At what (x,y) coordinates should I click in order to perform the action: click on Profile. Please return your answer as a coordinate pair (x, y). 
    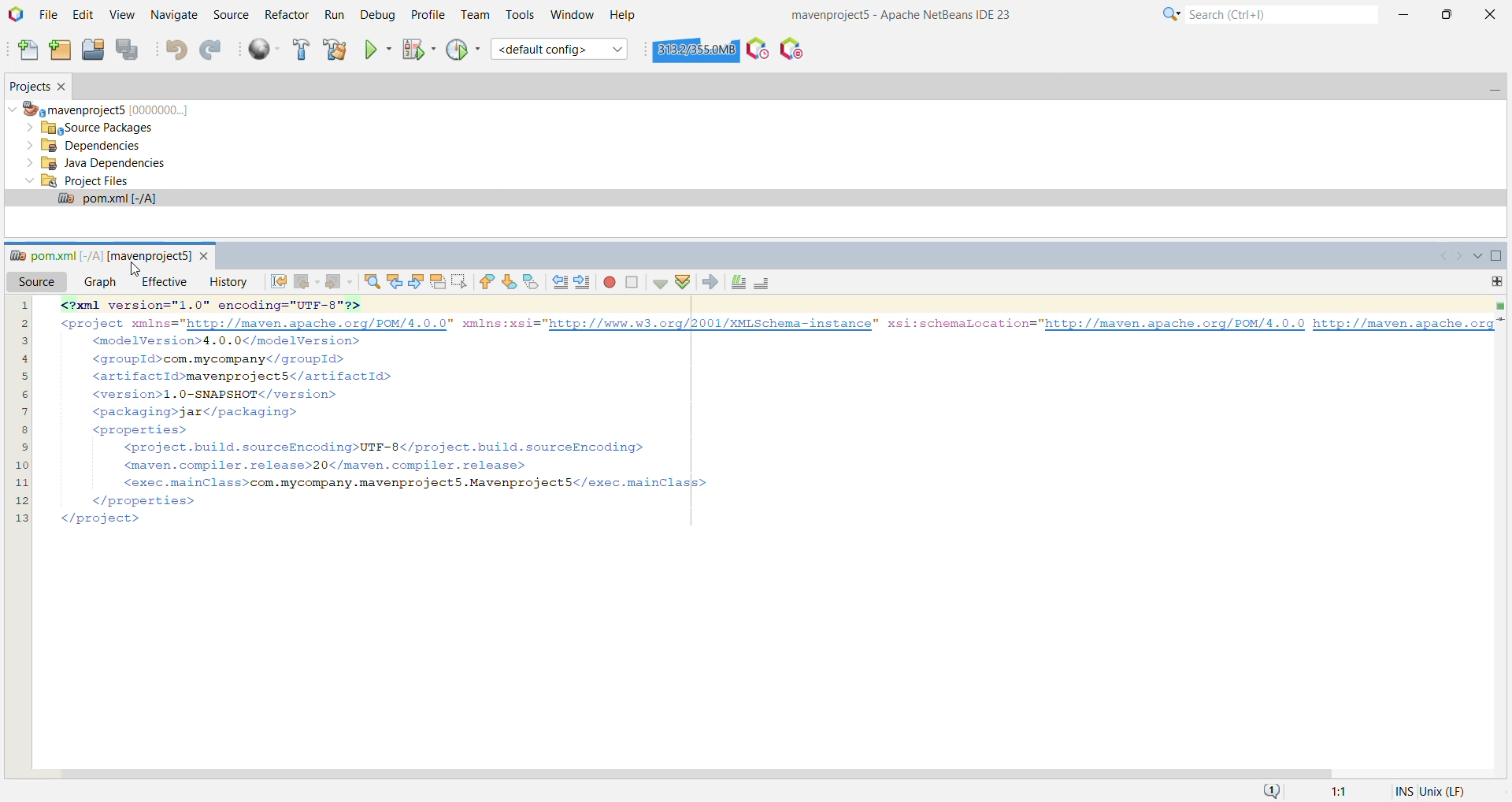
    Looking at the image, I should click on (426, 15).